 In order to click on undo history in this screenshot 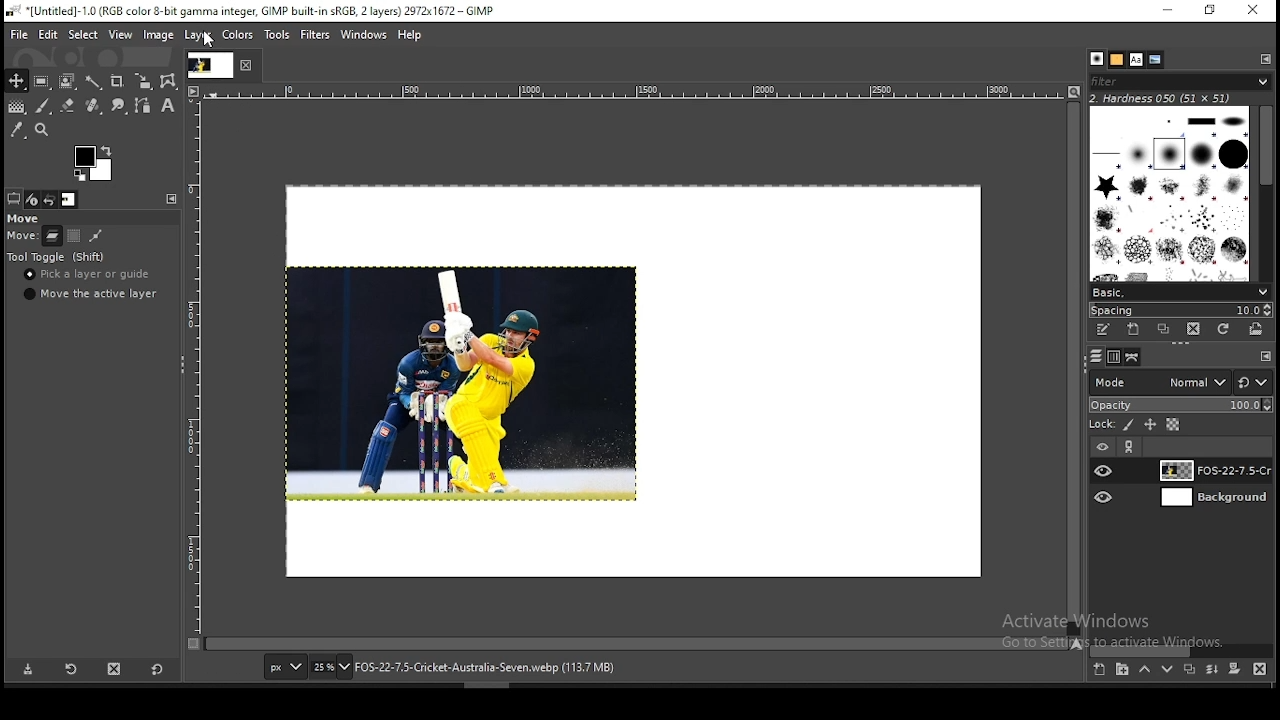, I will do `click(49, 200)`.